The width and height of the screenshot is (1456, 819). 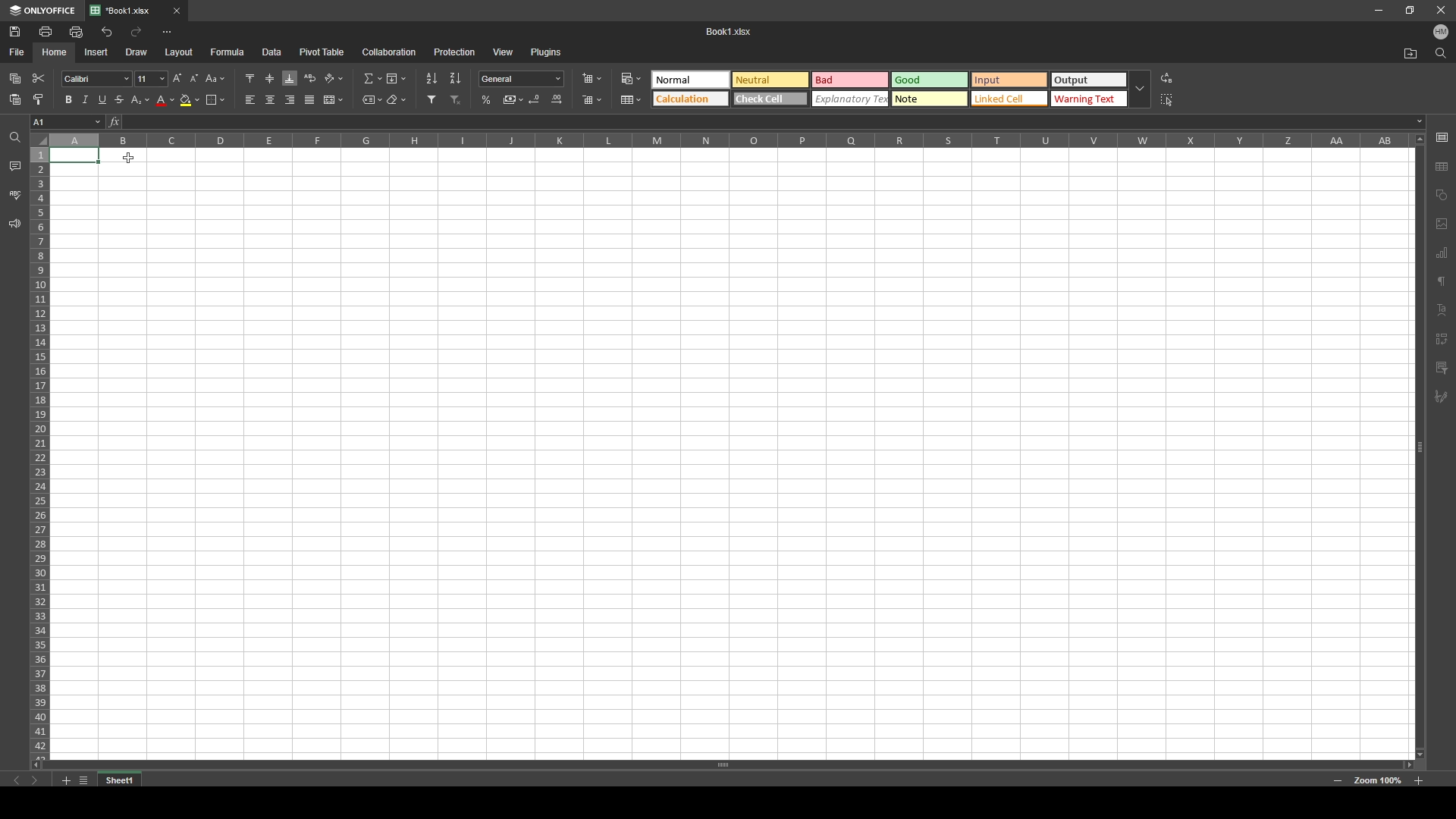 What do you see at coordinates (271, 52) in the screenshot?
I see `data` at bounding box center [271, 52].